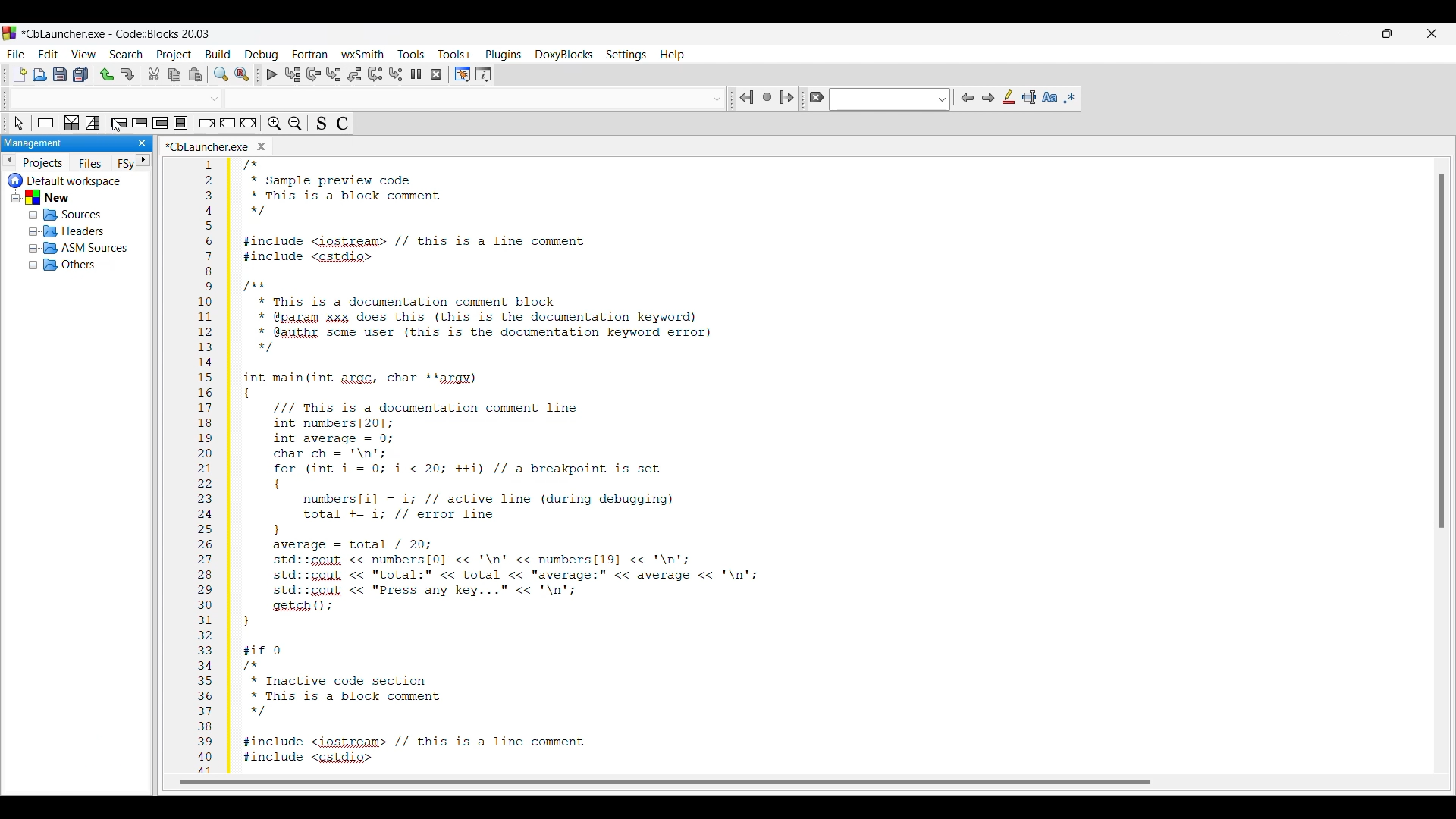  What do you see at coordinates (968, 98) in the screenshot?
I see `Previous` at bounding box center [968, 98].